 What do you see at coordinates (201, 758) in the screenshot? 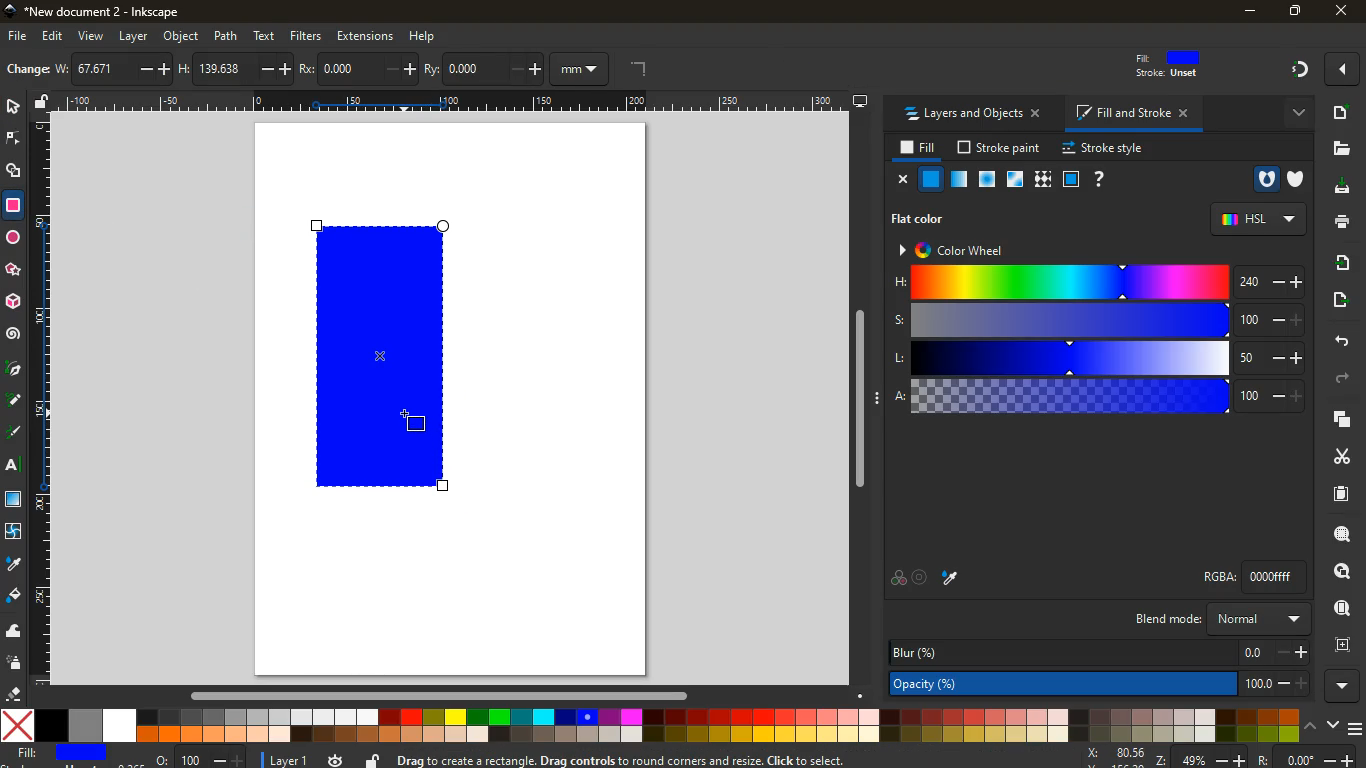
I see `o` at bounding box center [201, 758].